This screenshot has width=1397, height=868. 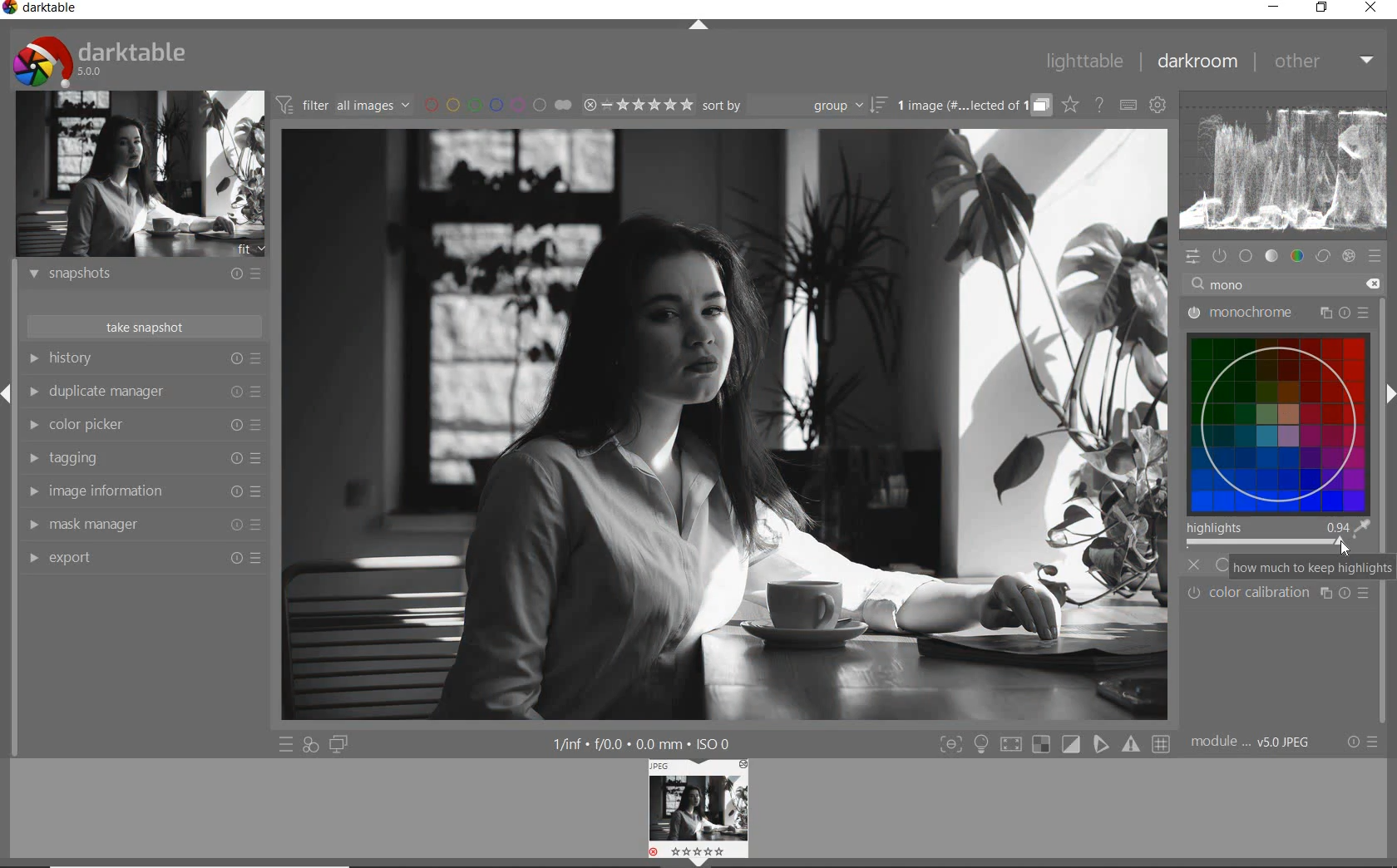 What do you see at coordinates (141, 457) in the screenshot?
I see `tagging` at bounding box center [141, 457].